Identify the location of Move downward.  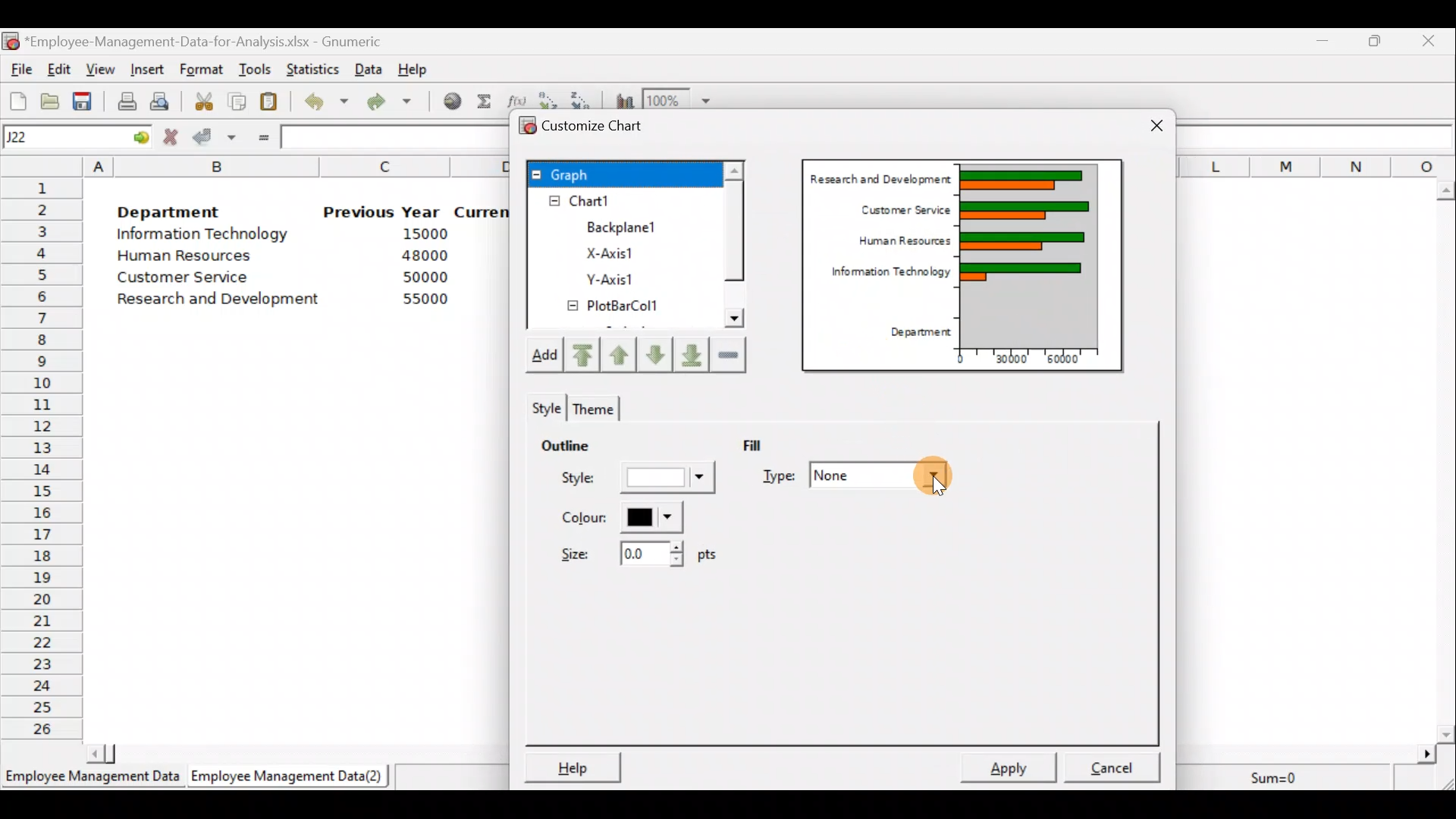
(688, 352).